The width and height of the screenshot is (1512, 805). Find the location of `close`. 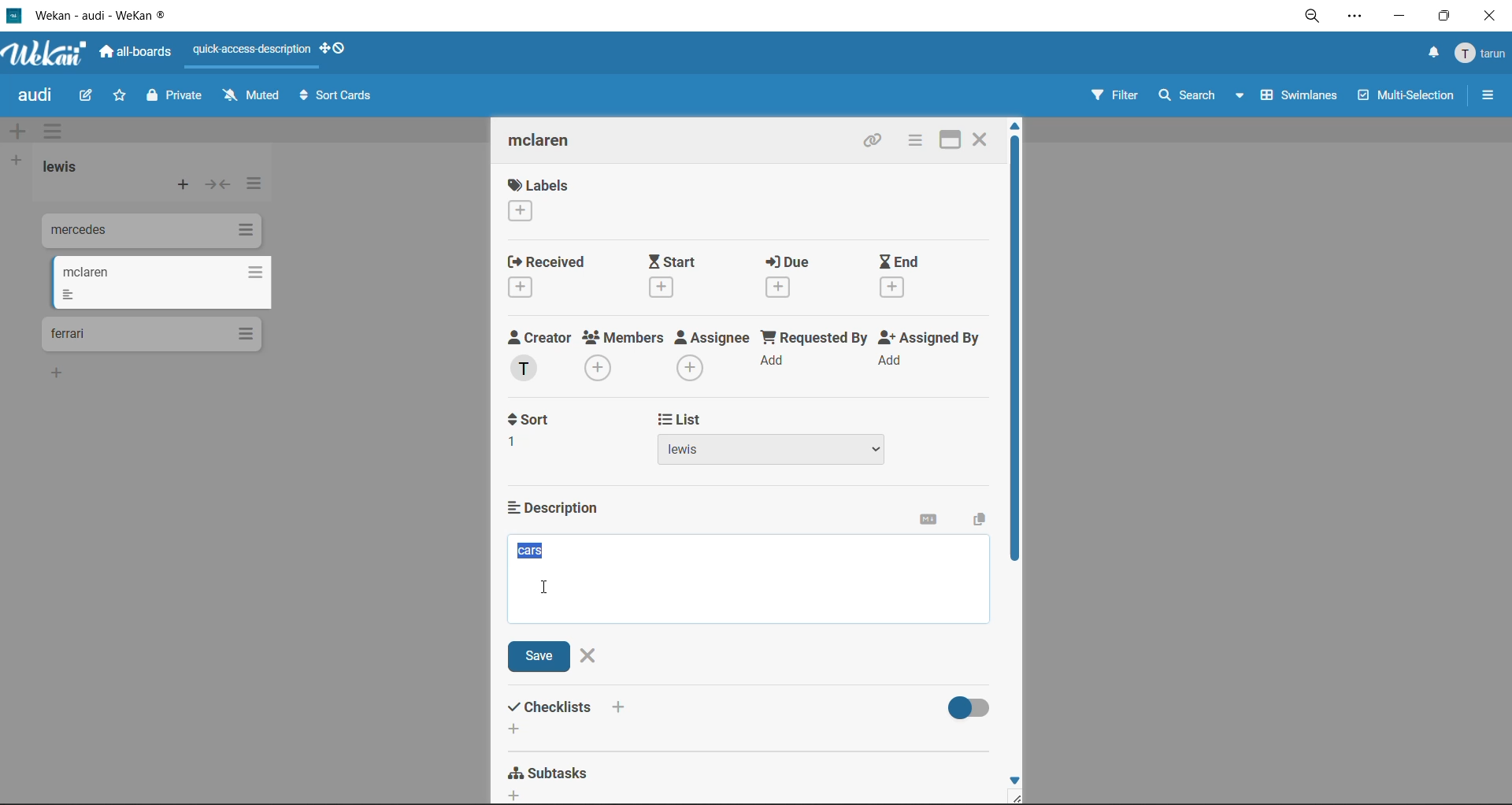

close is located at coordinates (981, 138).